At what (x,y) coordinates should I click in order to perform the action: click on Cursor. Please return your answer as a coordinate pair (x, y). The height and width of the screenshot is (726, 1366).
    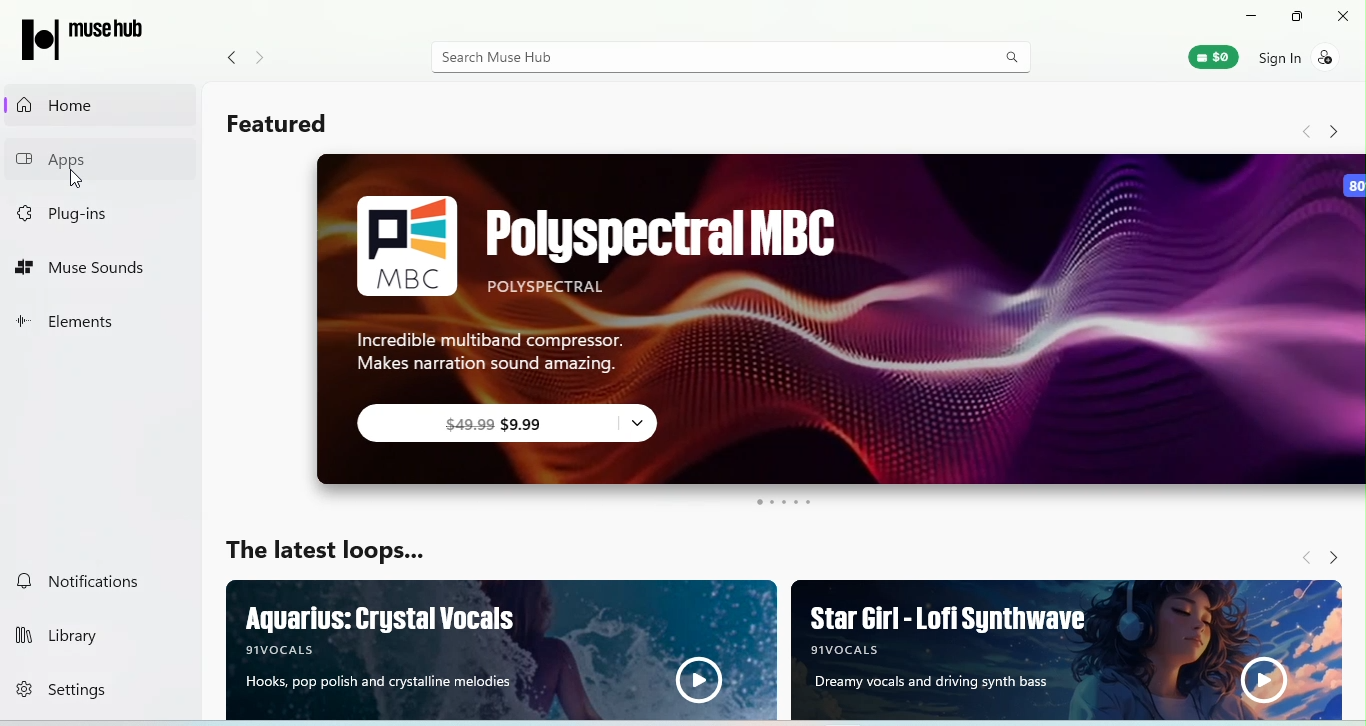
    Looking at the image, I should click on (78, 180).